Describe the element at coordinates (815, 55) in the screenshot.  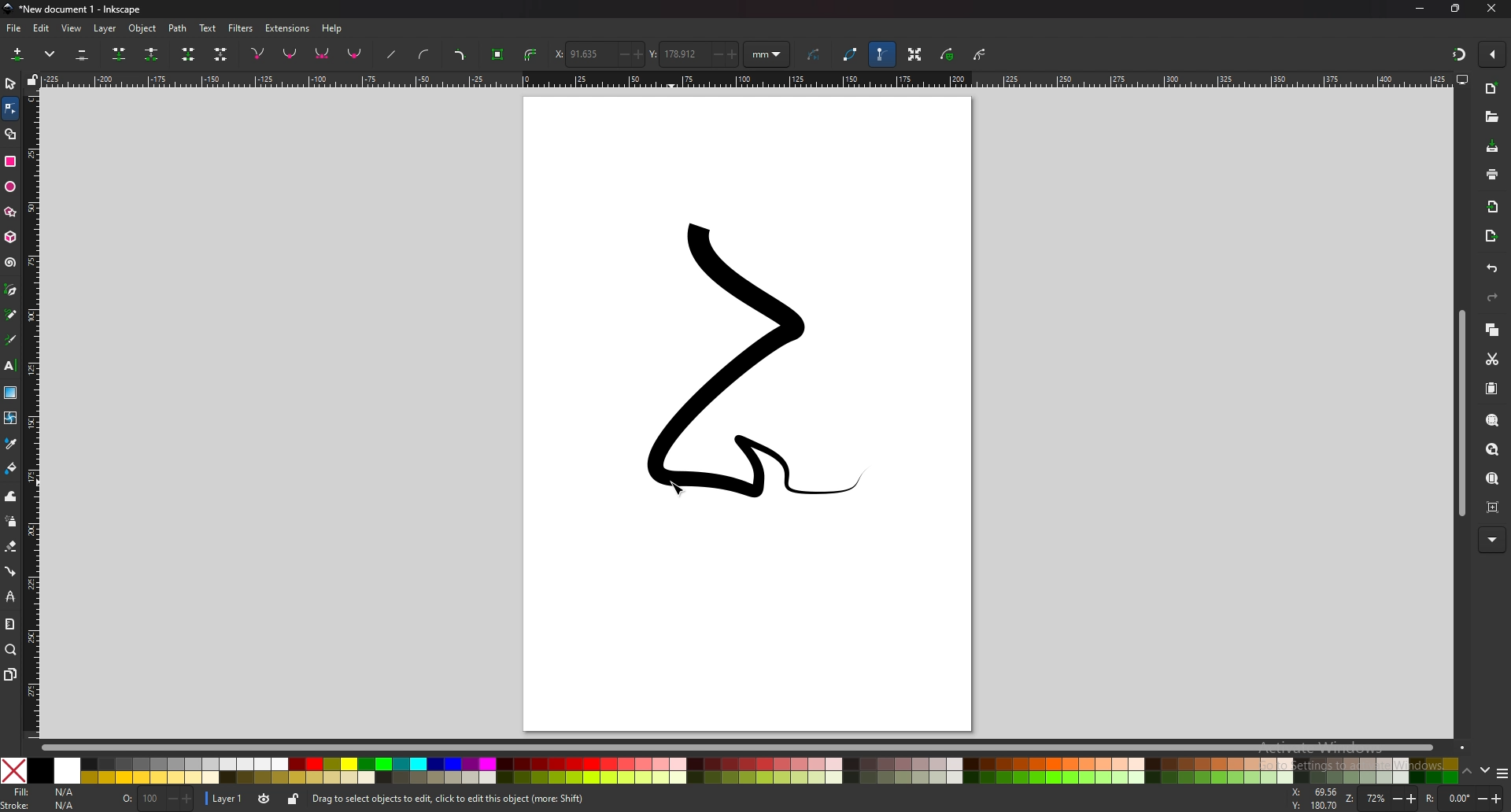
I see `next path effect parameter` at that location.